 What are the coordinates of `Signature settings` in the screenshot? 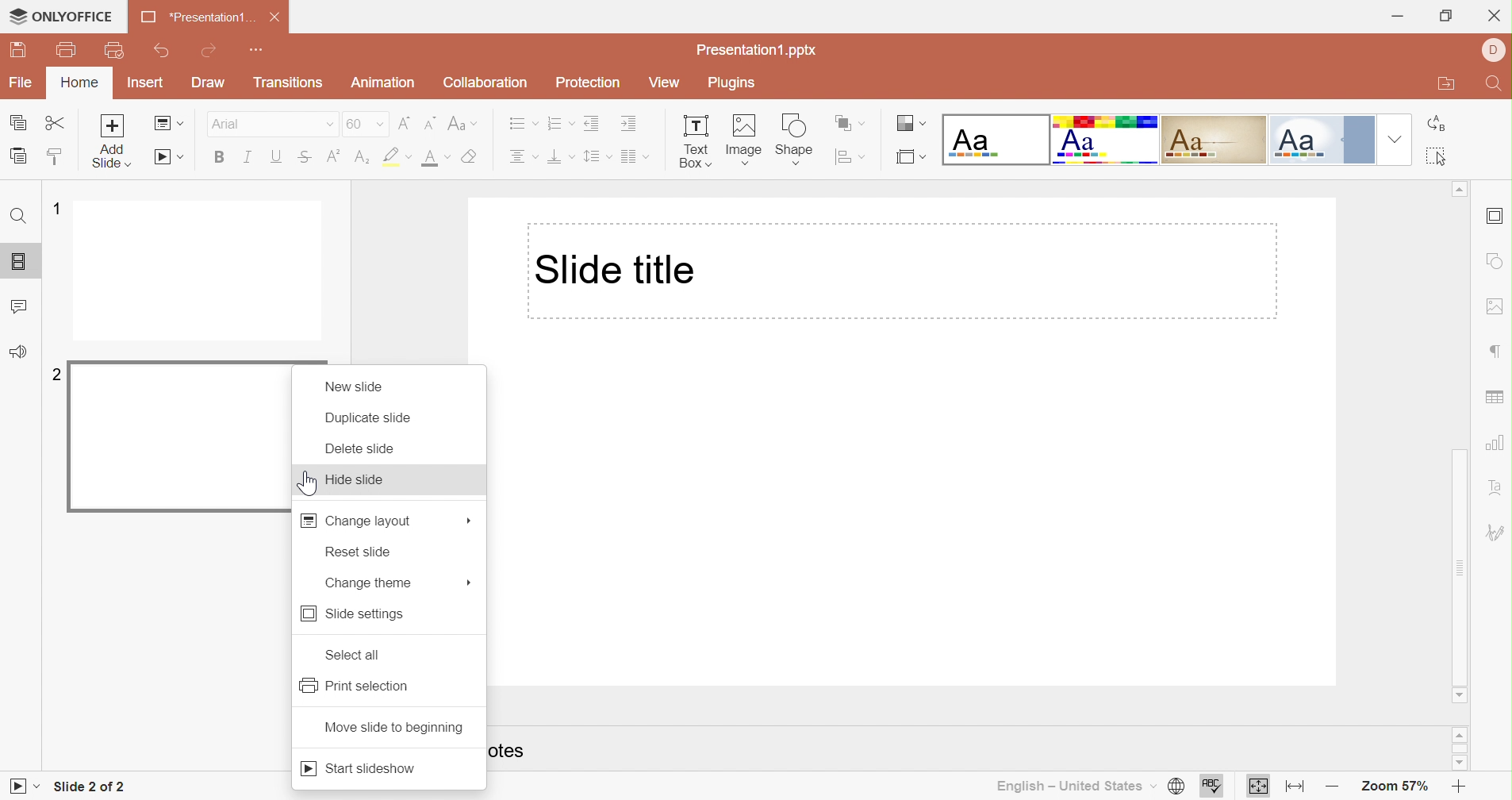 It's located at (1495, 531).